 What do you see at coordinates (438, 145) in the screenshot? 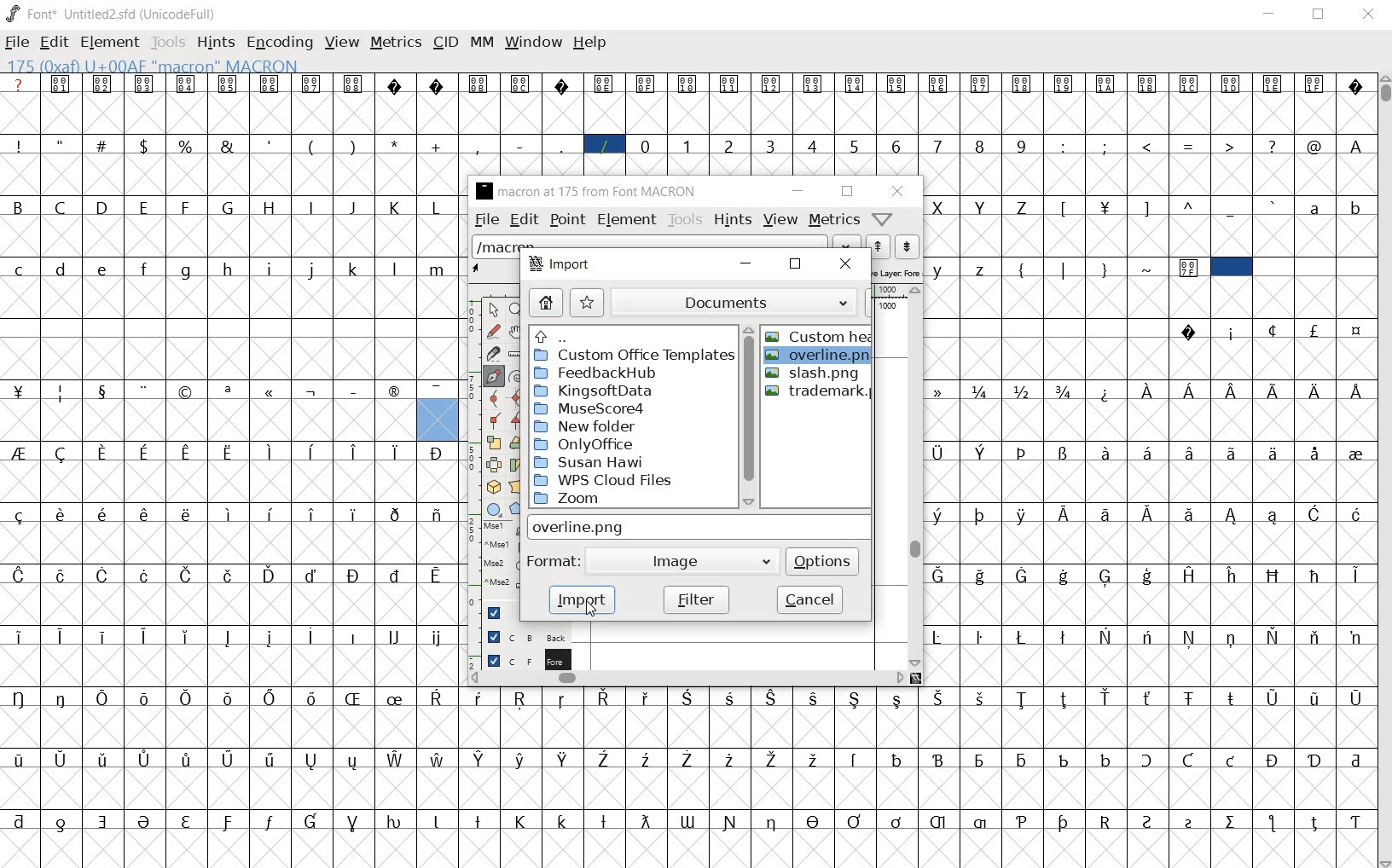
I see `+` at bounding box center [438, 145].